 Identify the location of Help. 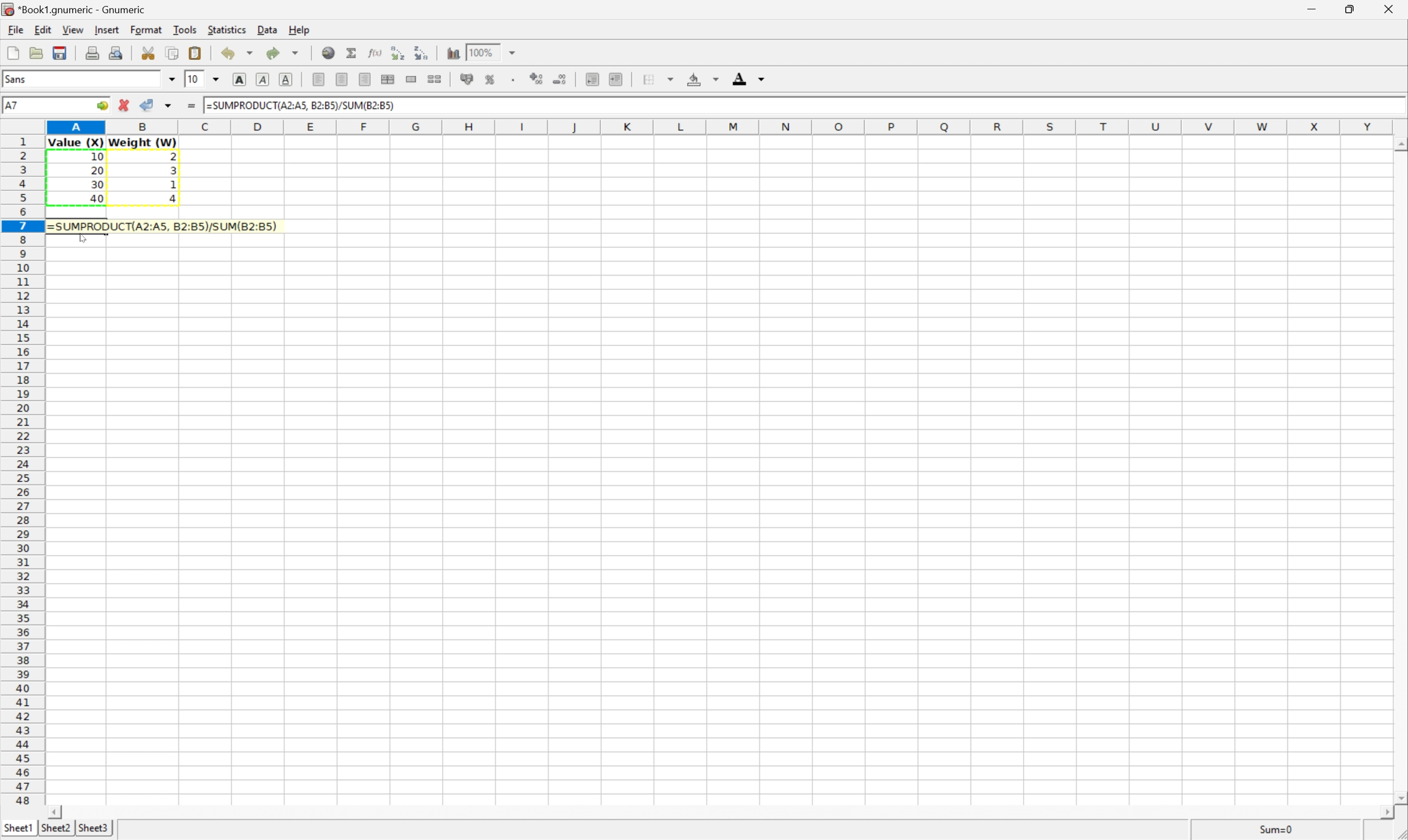
(298, 28).